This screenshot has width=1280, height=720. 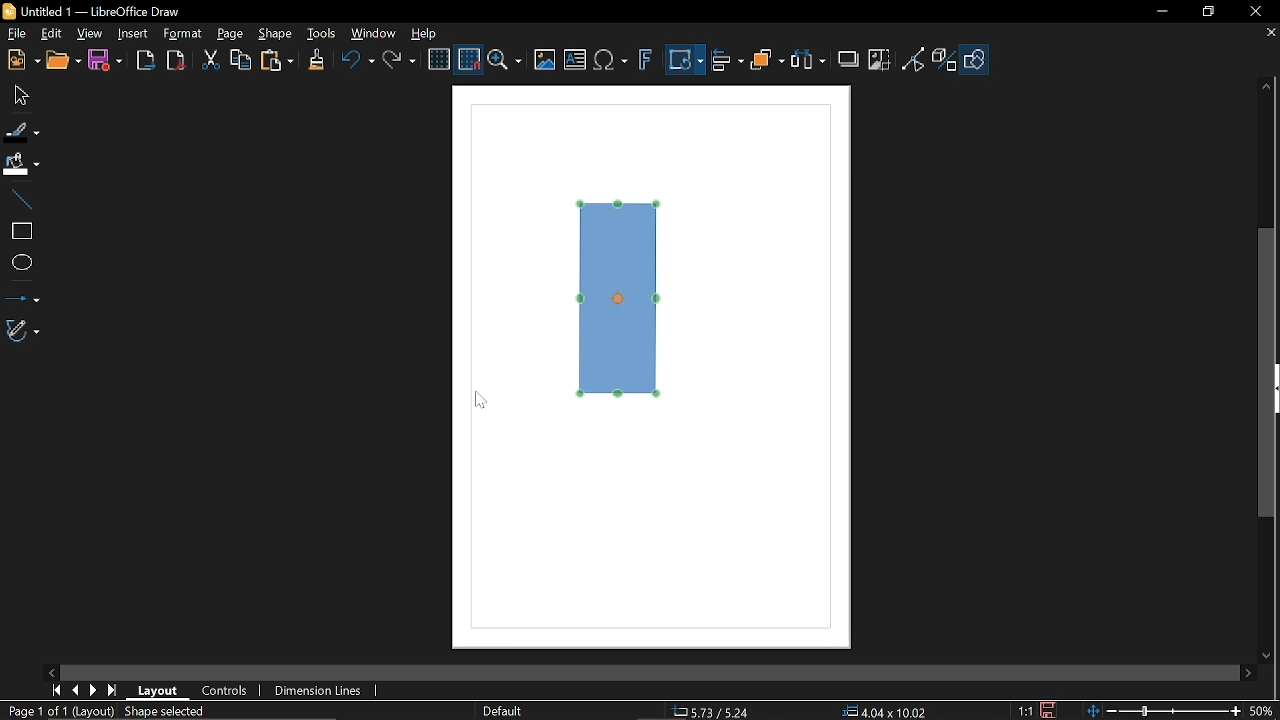 I want to click on Controls, so click(x=226, y=690).